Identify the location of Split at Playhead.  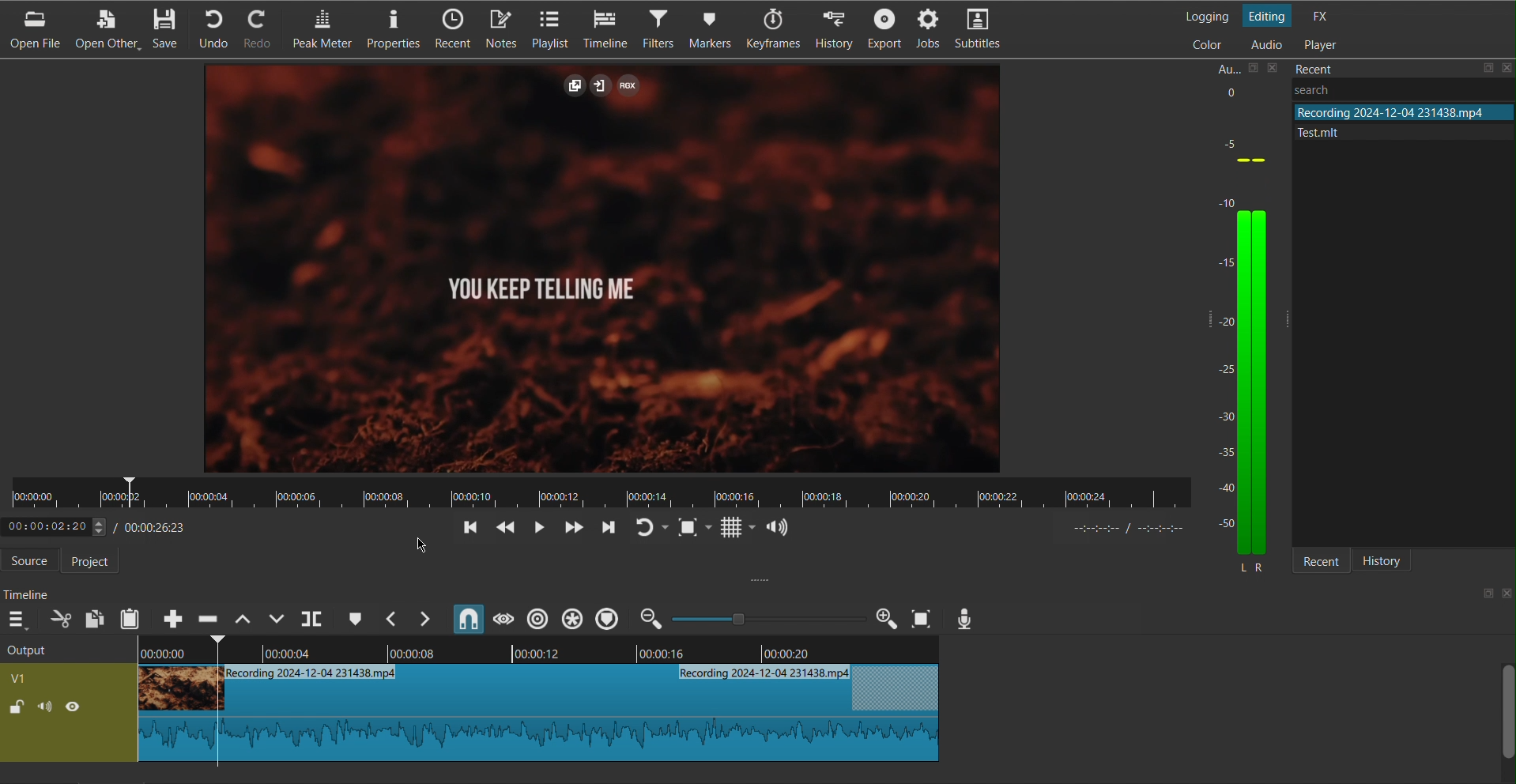
(312, 618).